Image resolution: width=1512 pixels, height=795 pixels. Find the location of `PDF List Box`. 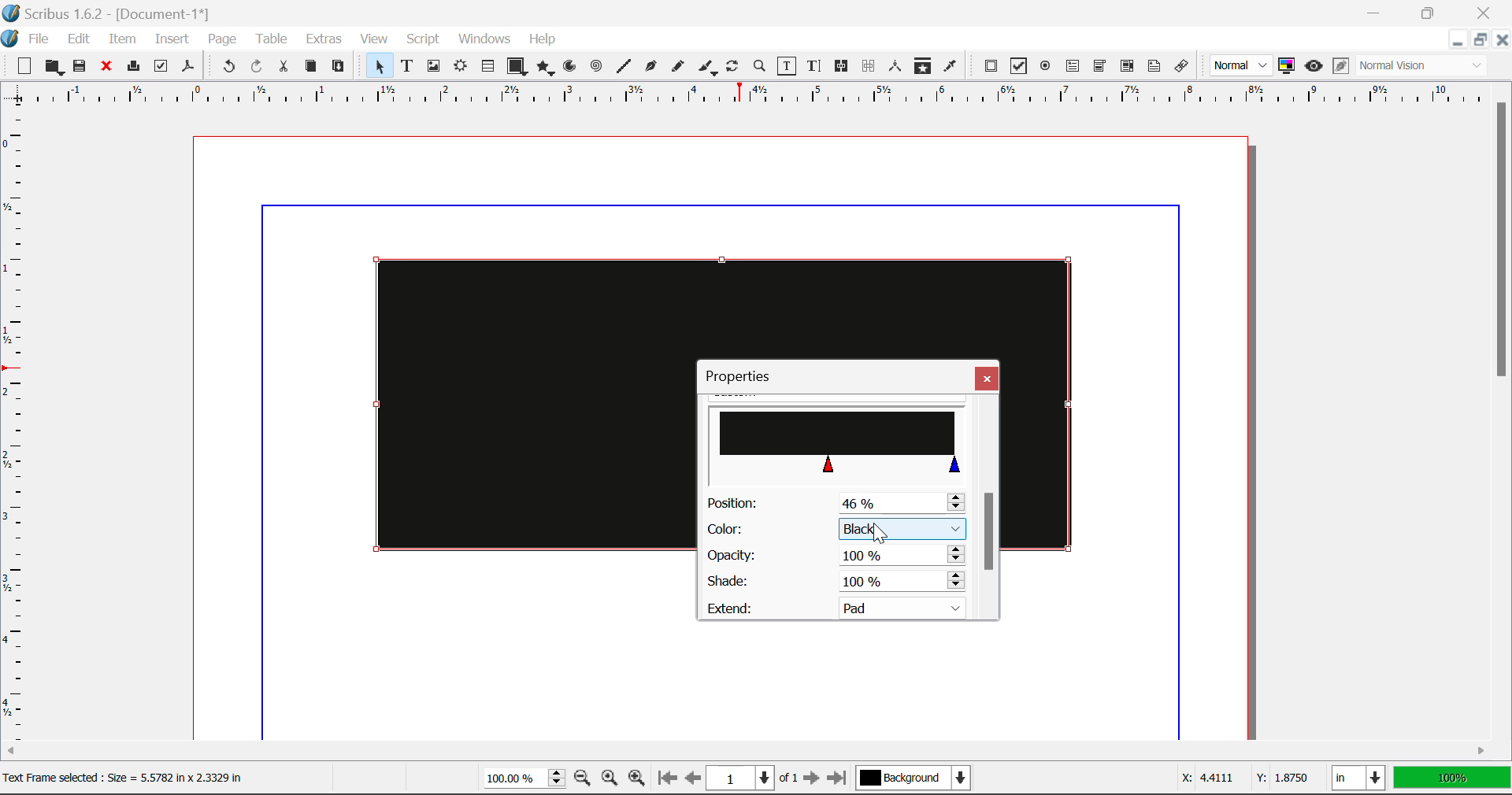

PDF List Box is located at coordinates (1128, 66).